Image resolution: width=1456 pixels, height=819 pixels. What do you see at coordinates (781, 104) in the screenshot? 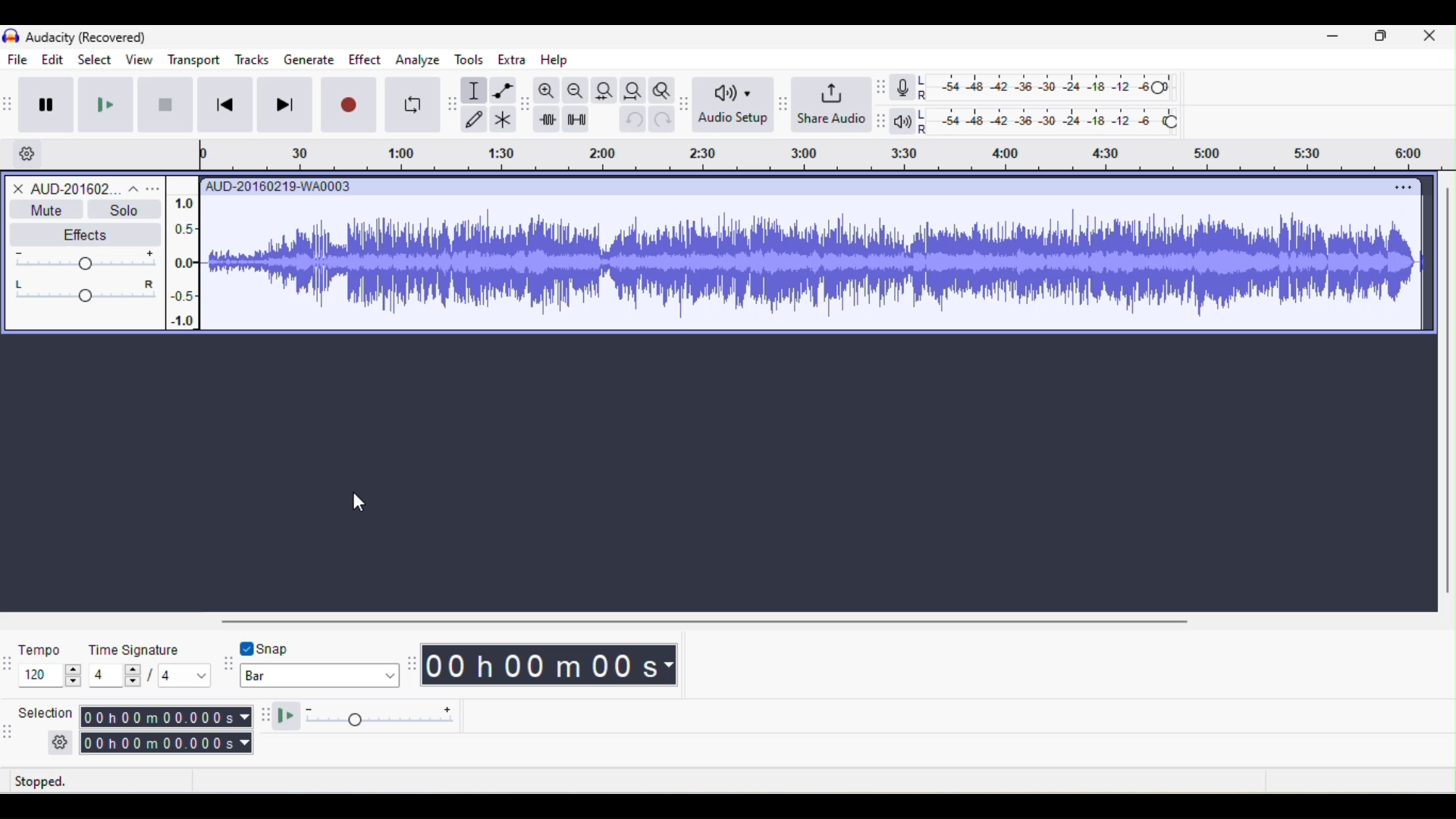
I see `audacity share audio` at bounding box center [781, 104].